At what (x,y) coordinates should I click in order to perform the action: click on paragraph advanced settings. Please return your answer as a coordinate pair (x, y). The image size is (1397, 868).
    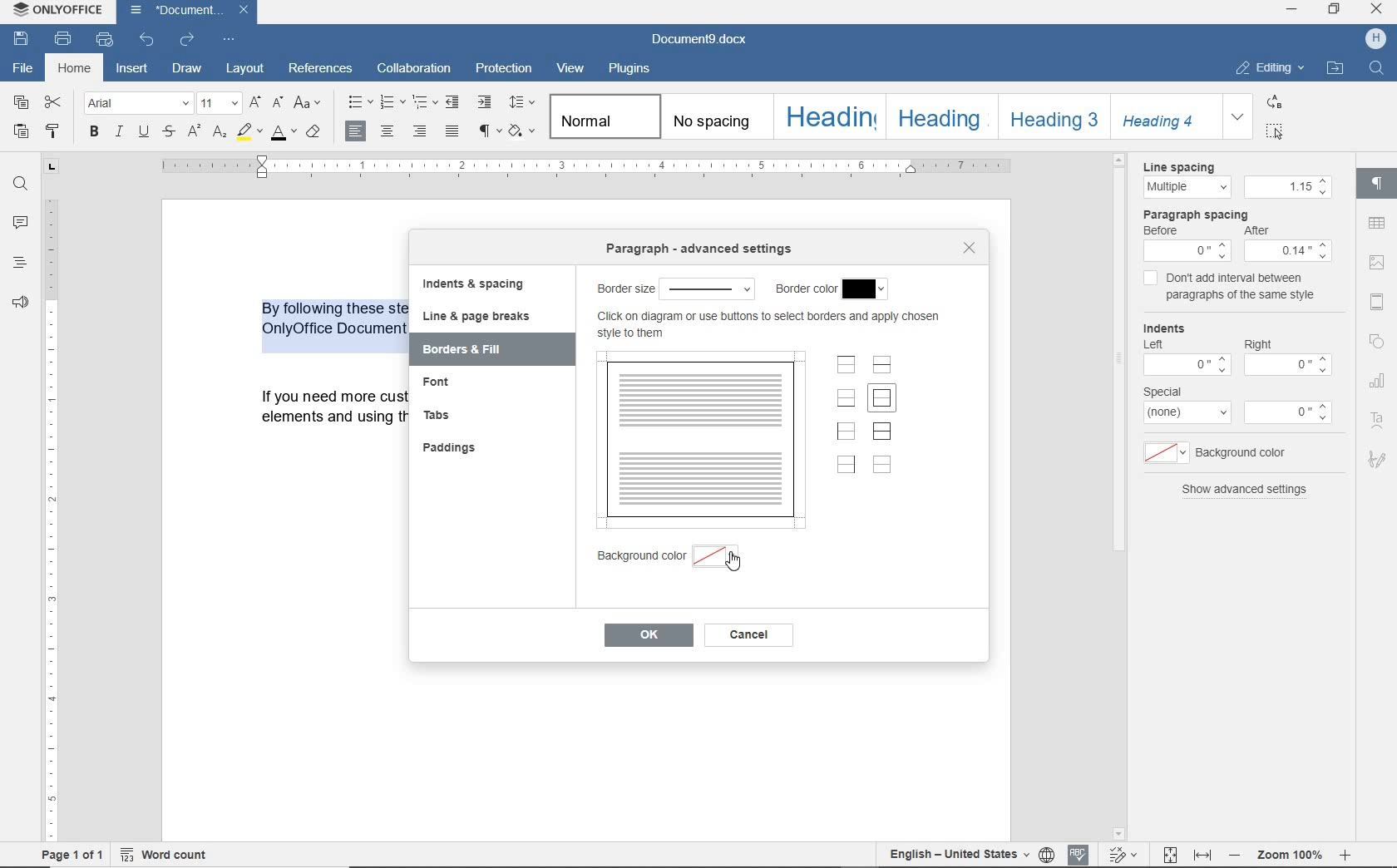
    Looking at the image, I should click on (700, 249).